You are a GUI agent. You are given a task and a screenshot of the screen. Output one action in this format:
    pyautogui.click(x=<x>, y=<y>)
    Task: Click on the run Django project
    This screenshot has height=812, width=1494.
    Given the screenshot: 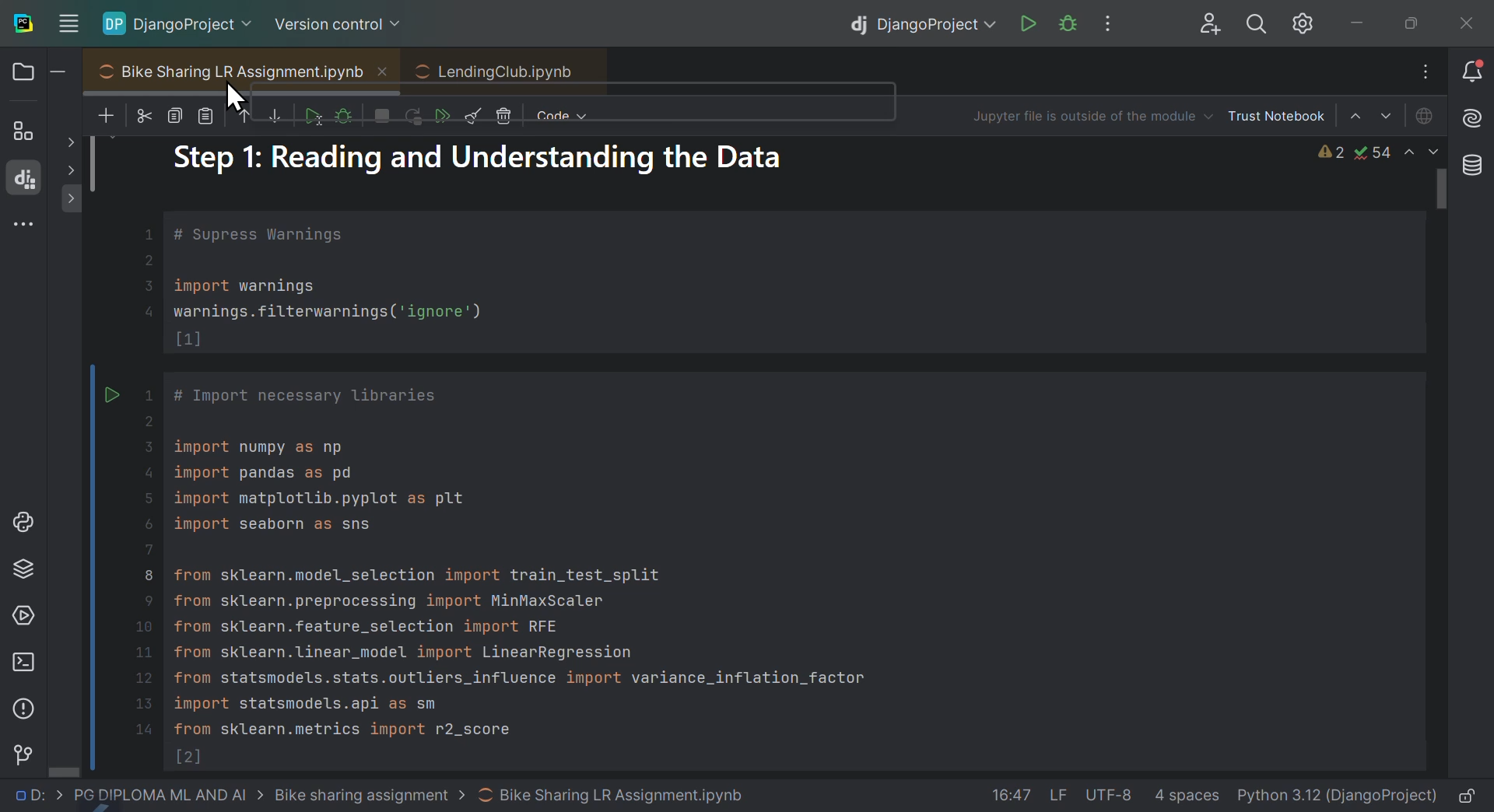 What is the action you would take?
    pyautogui.click(x=1023, y=23)
    